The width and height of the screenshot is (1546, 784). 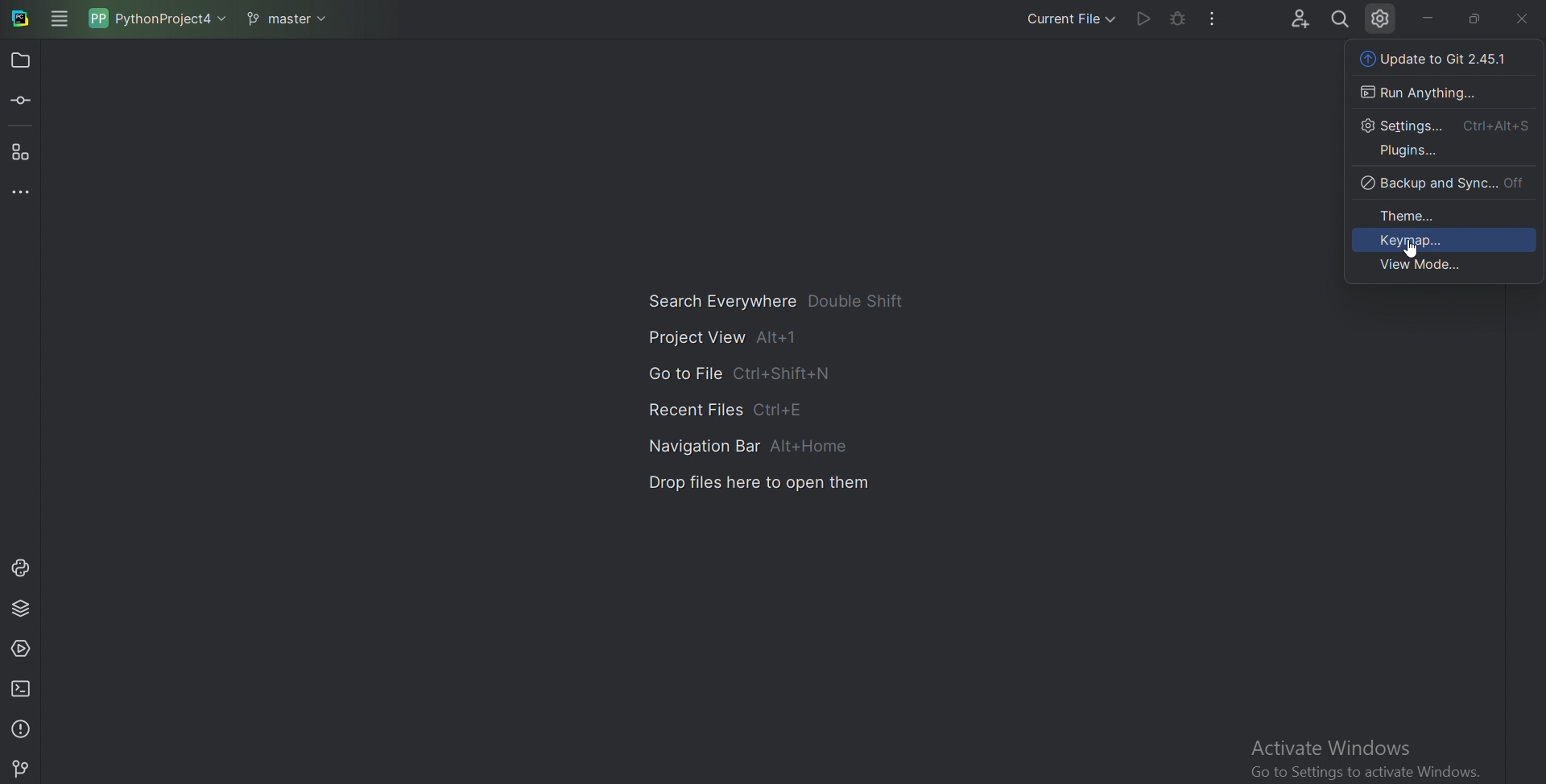 What do you see at coordinates (60, 19) in the screenshot?
I see `Main menu` at bounding box center [60, 19].